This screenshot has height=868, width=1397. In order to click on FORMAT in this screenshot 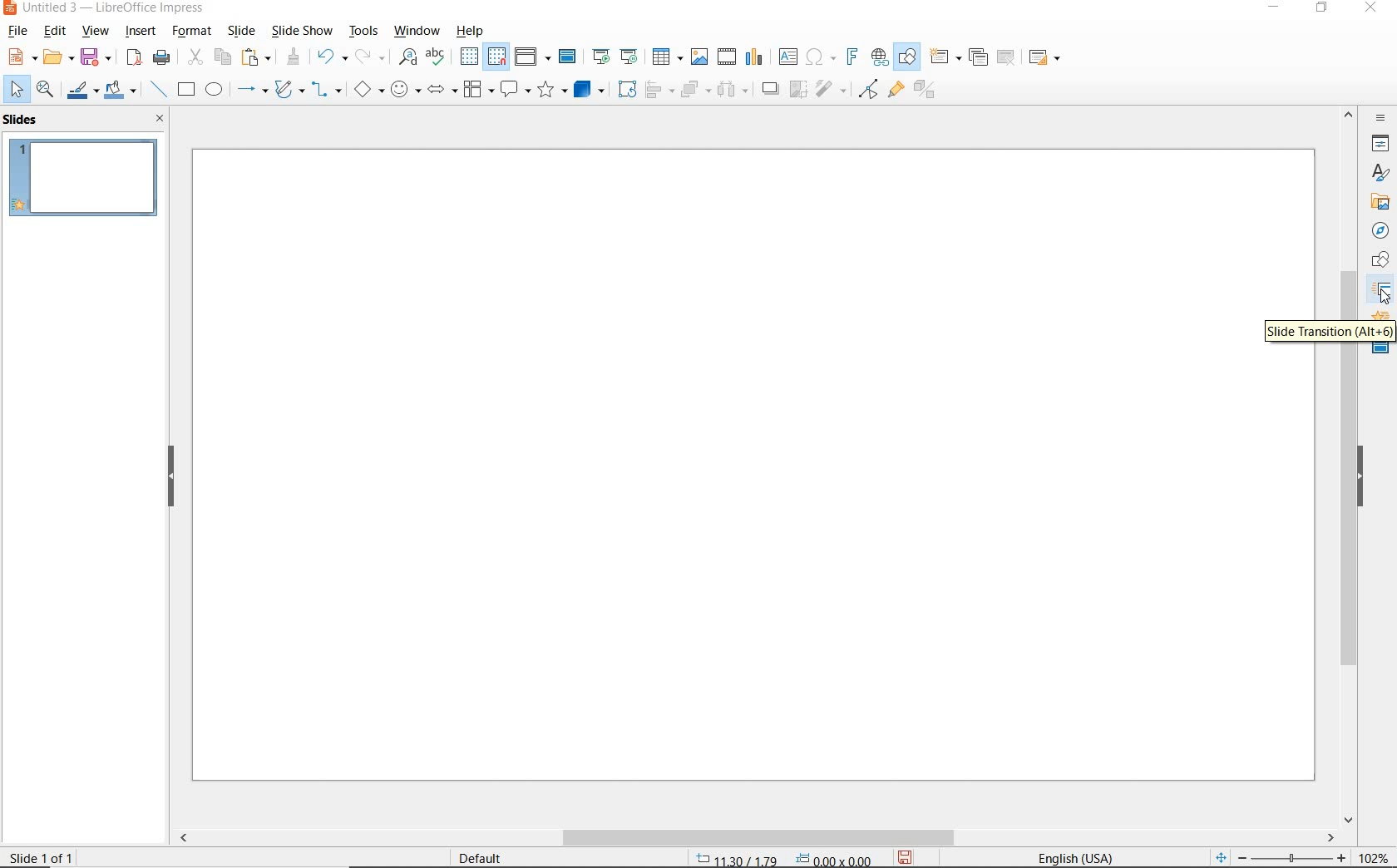, I will do `click(194, 31)`.